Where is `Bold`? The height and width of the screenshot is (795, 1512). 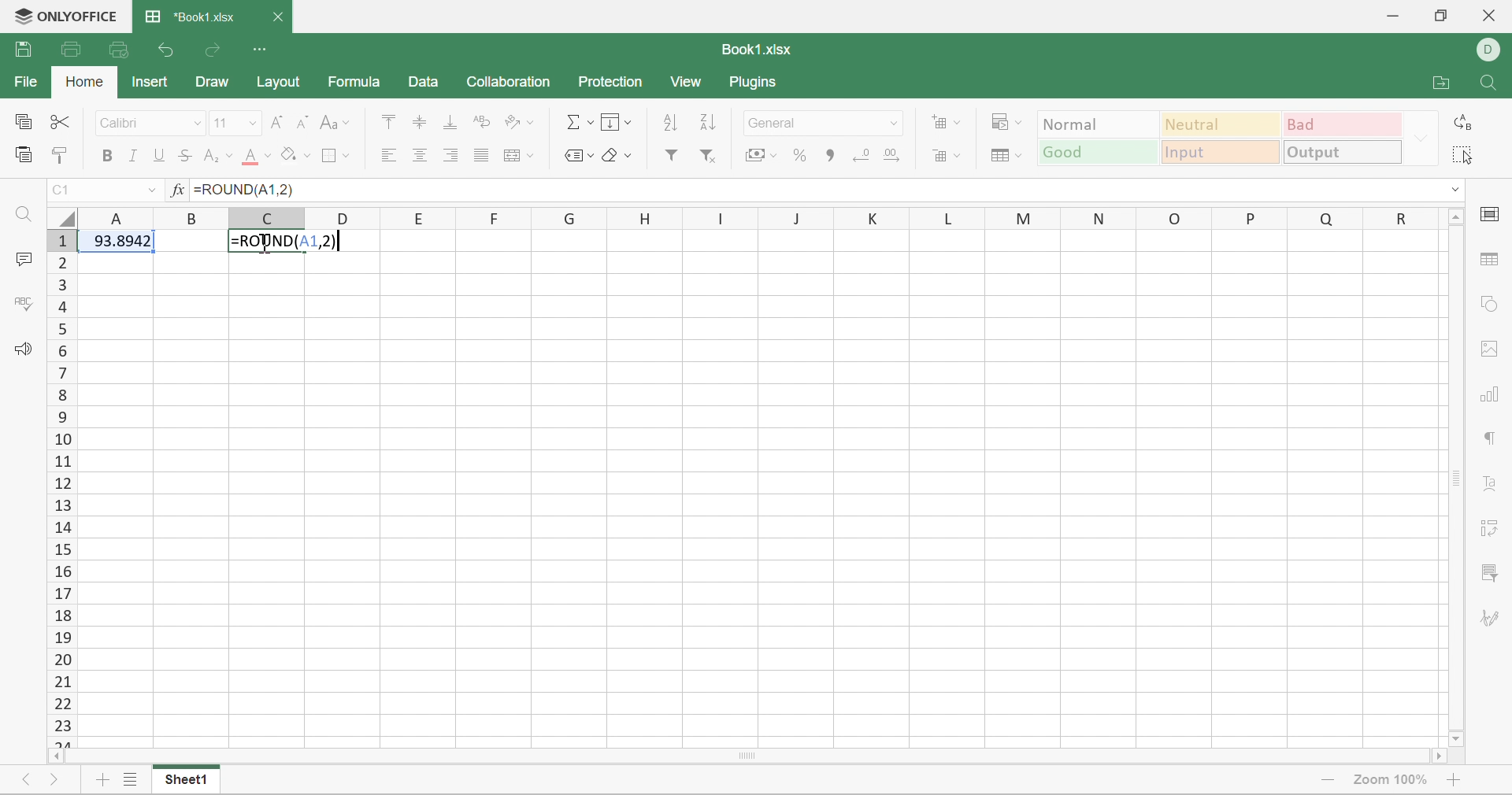 Bold is located at coordinates (109, 156).